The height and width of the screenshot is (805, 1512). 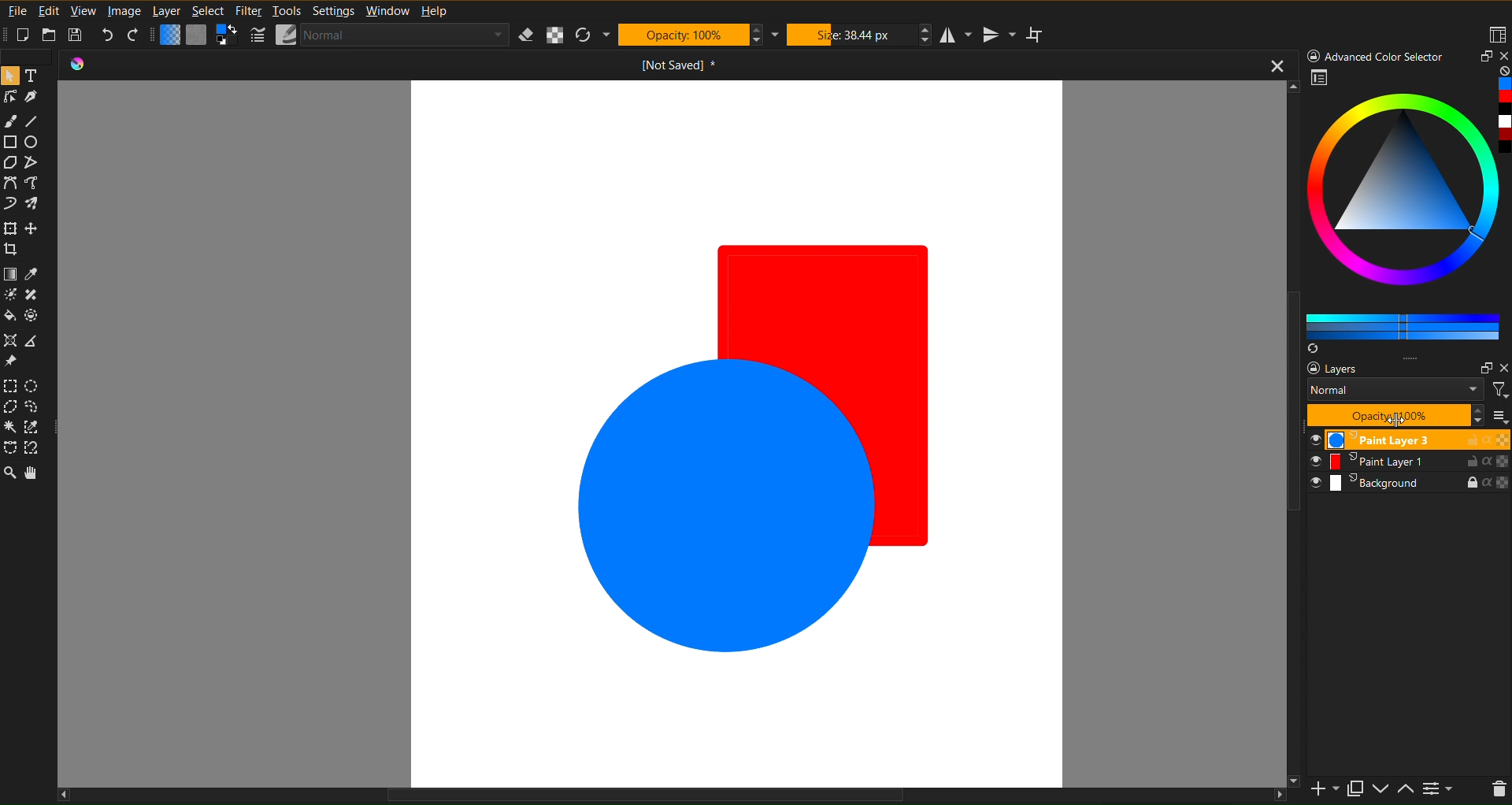 What do you see at coordinates (11, 144) in the screenshot?
I see `Shape Tools` at bounding box center [11, 144].